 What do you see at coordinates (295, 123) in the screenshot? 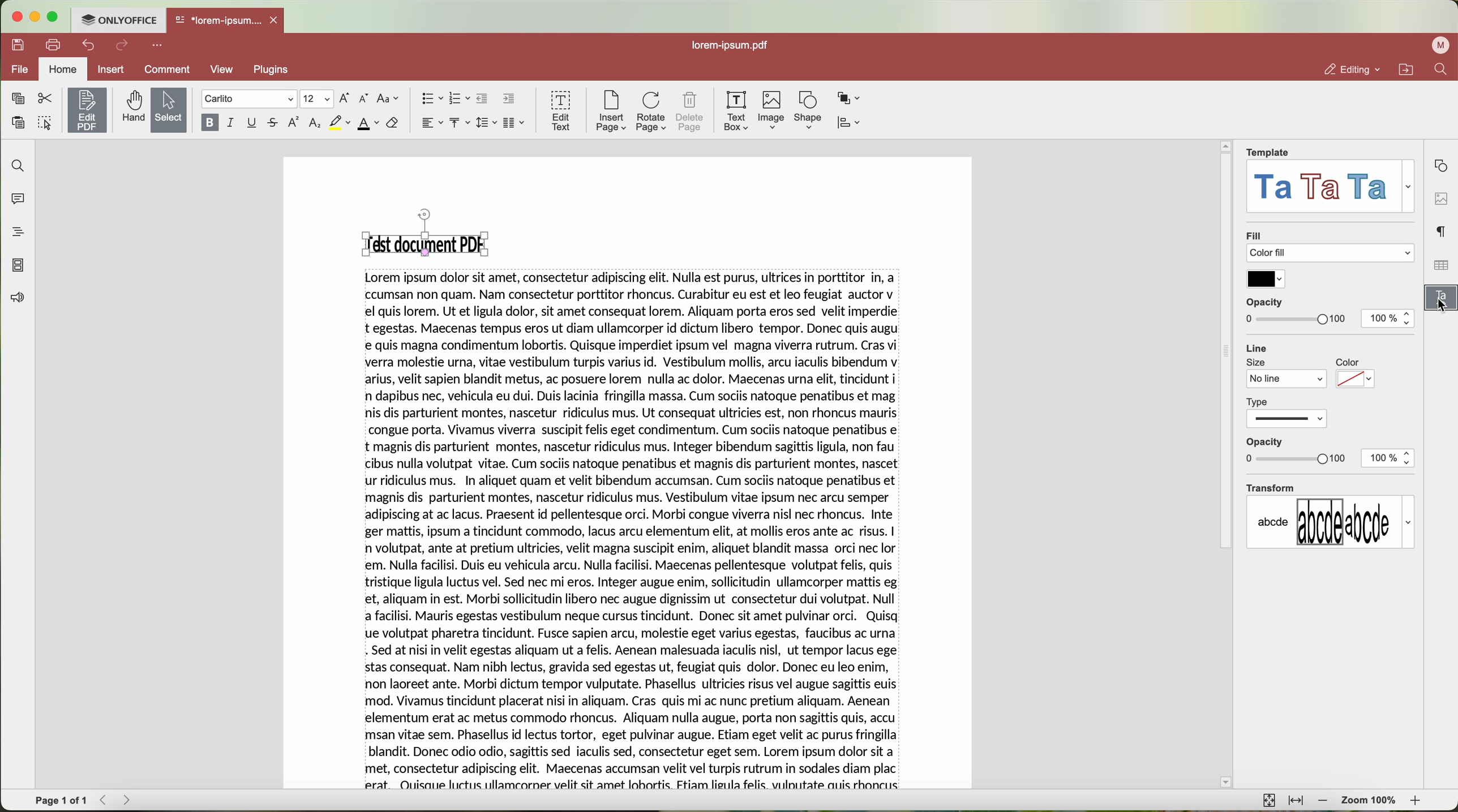
I see `superscript` at bounding box center [295, 123].